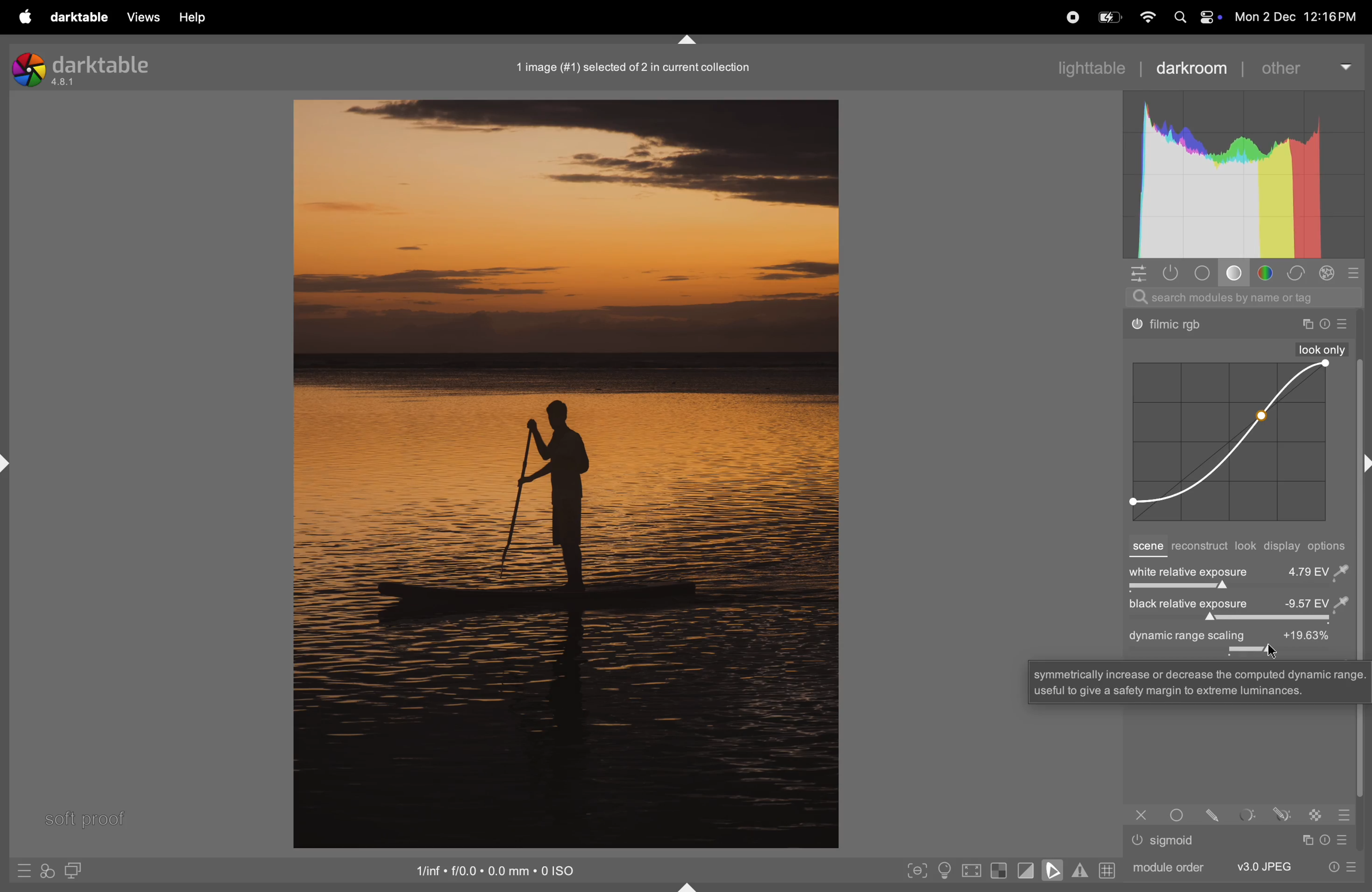 The image size is (1372, 892). What do you see at coordinates (1237, 275) in the screenshot?
I see `base` at bounding box center [1237, 275].